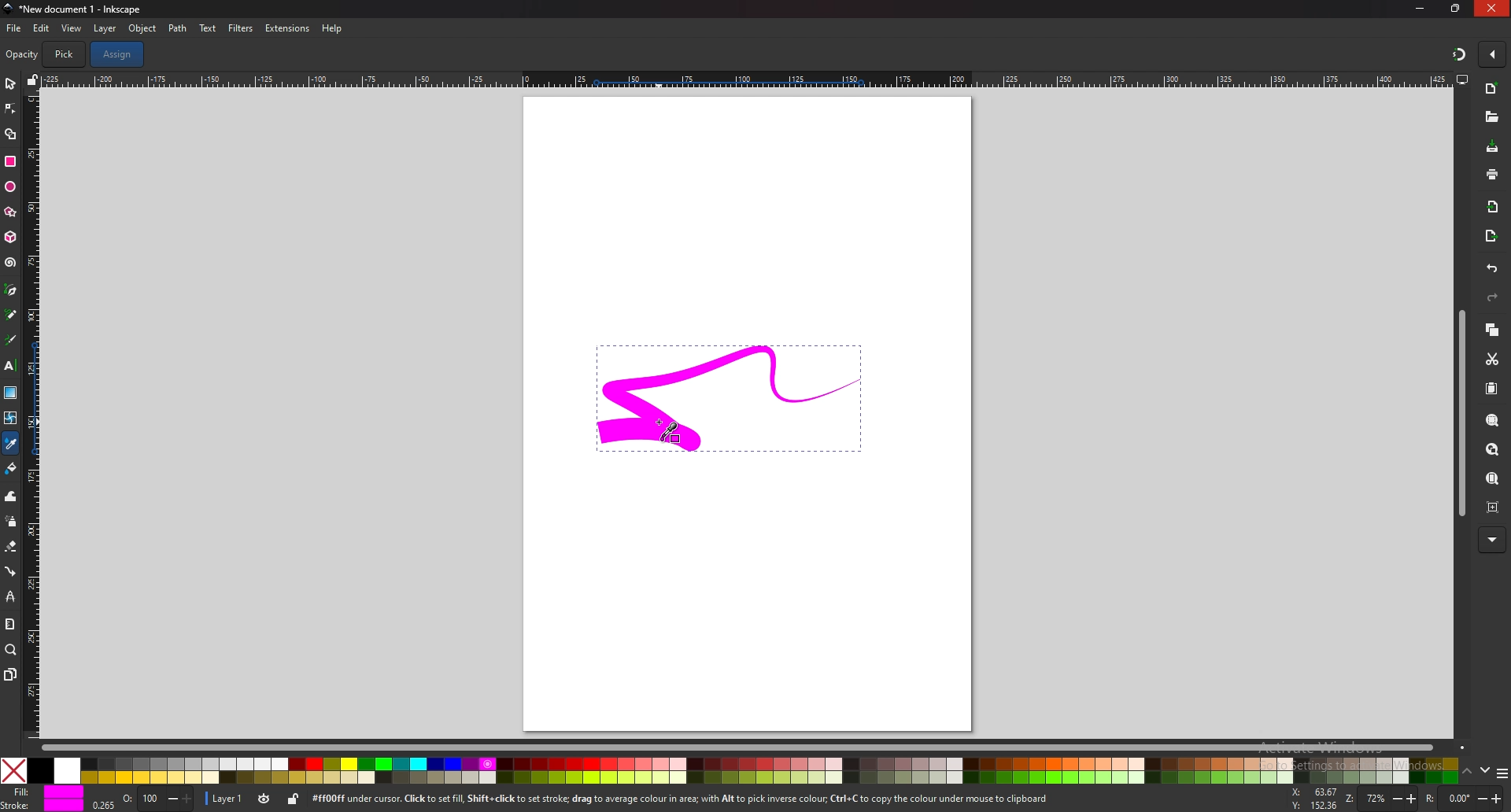 The image size is (1511, 812). I want to click on calligraphy, so click(10, 339).